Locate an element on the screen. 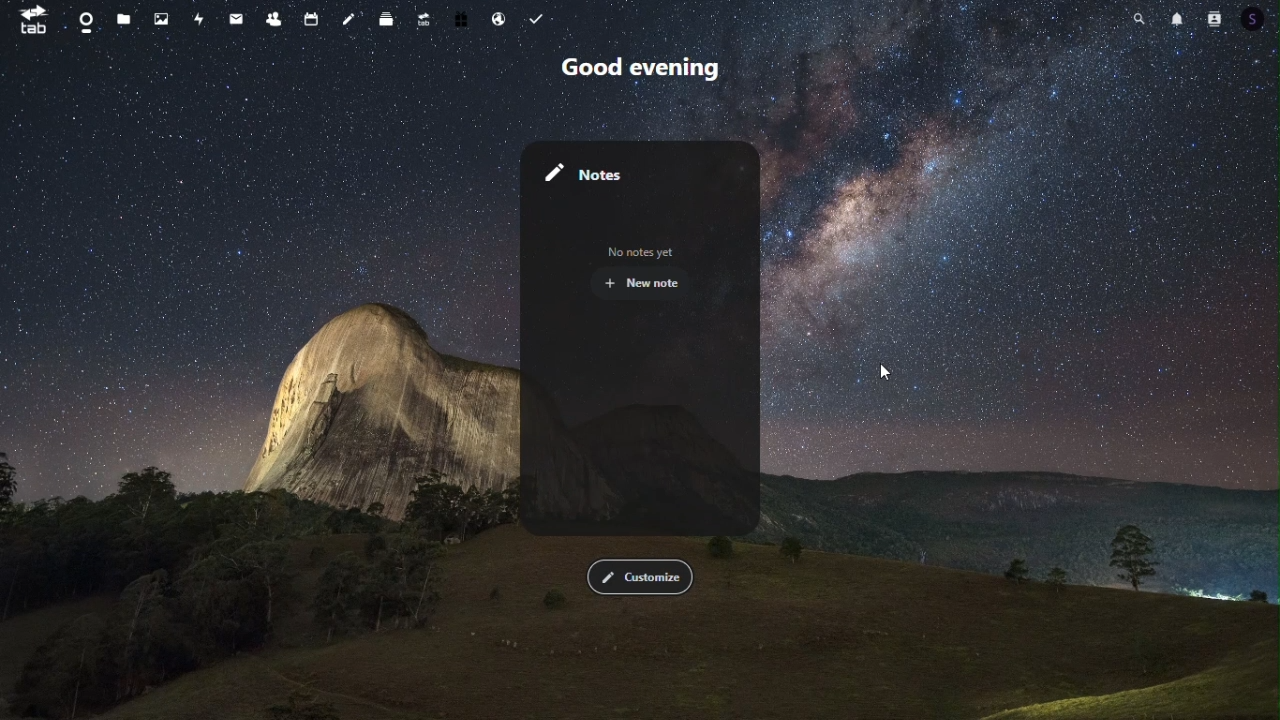  tab is located at coordinates (32, 20).